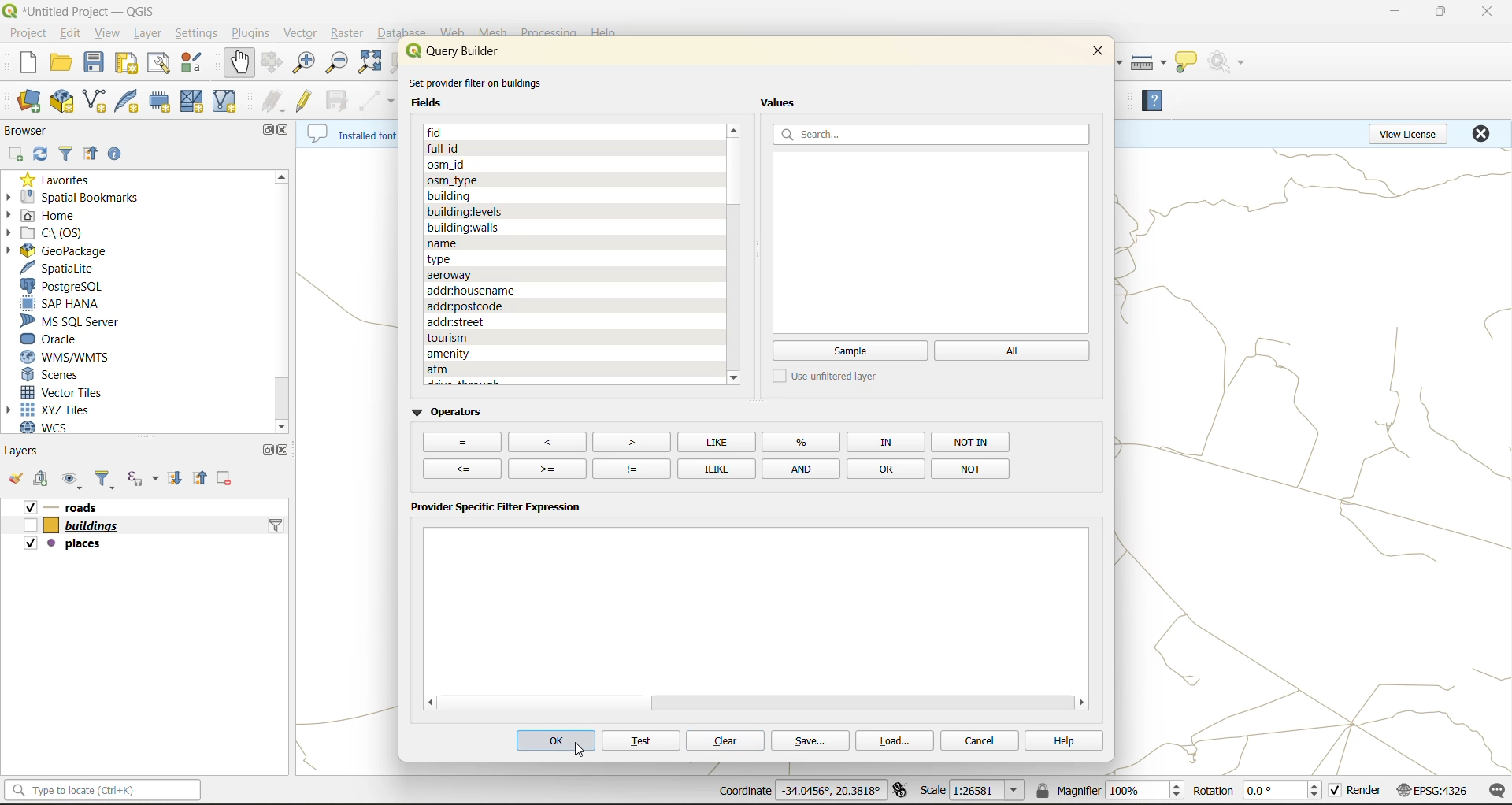 The height and width of the screenshot is (805, 1512). I want to click on fields, so click(464, 225).